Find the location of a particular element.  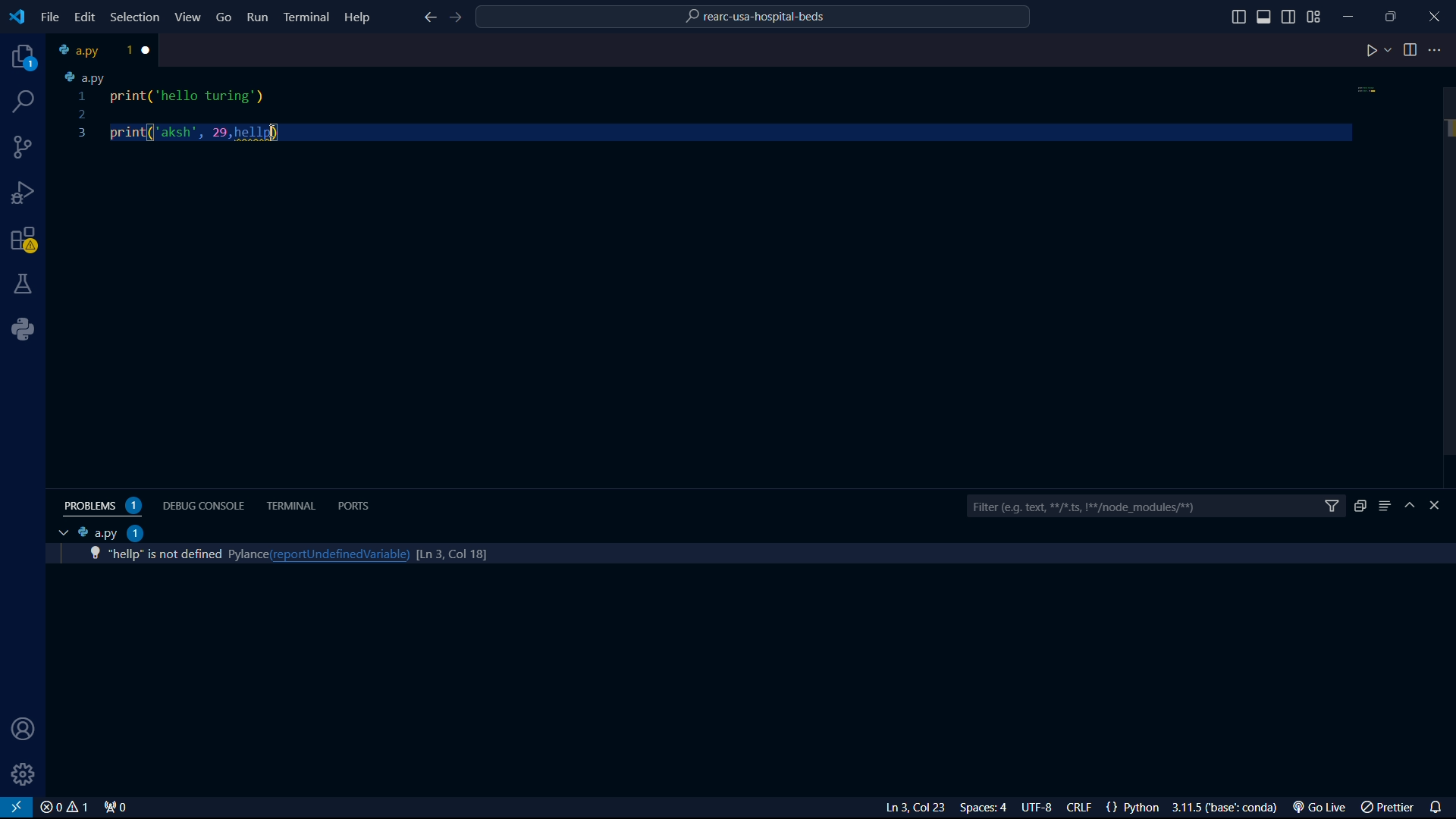

foward is located at coordinates (459, 18).